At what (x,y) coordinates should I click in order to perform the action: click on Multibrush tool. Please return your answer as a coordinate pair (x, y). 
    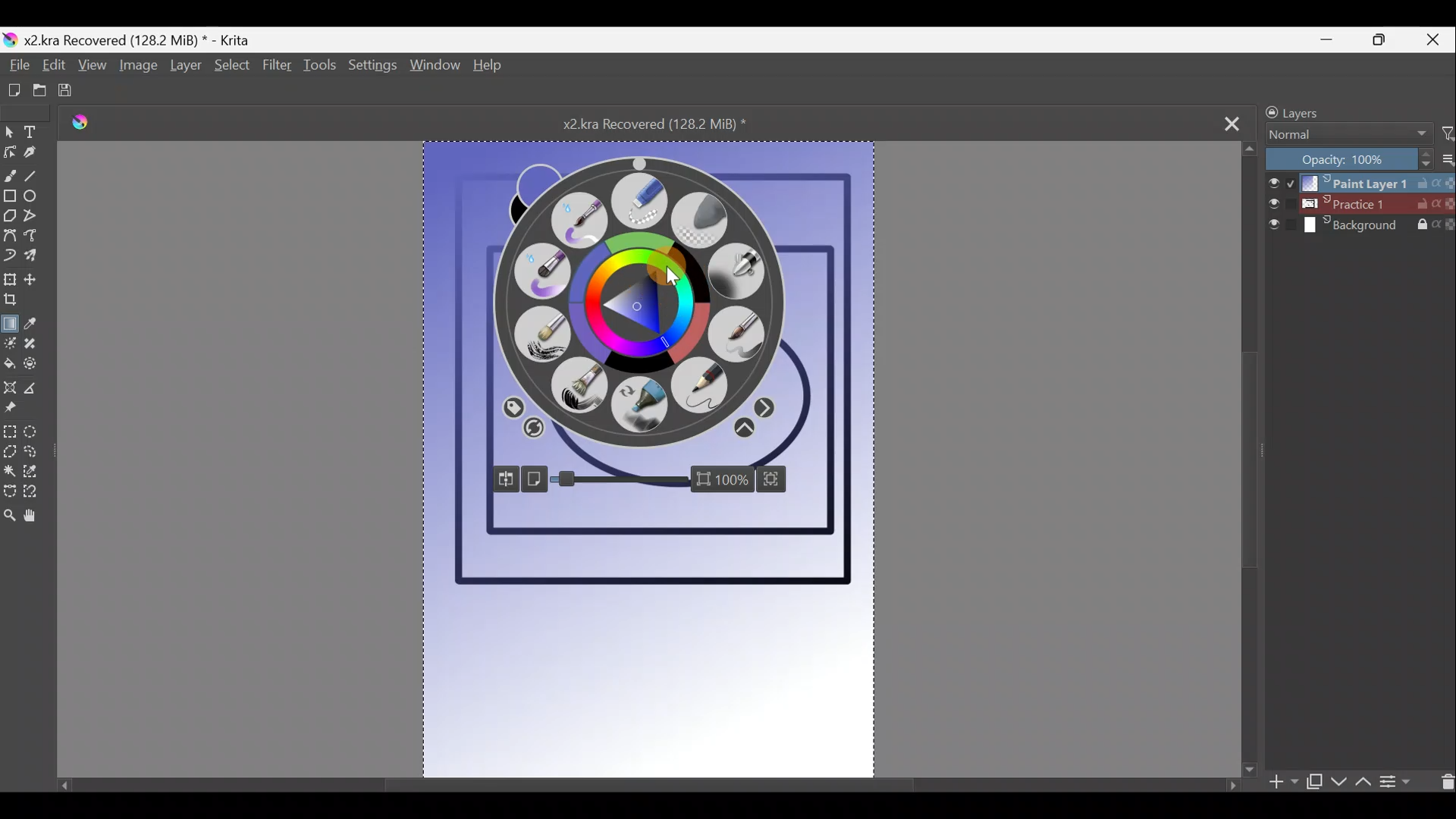
    Looking at the image, I should click on (36, 257).